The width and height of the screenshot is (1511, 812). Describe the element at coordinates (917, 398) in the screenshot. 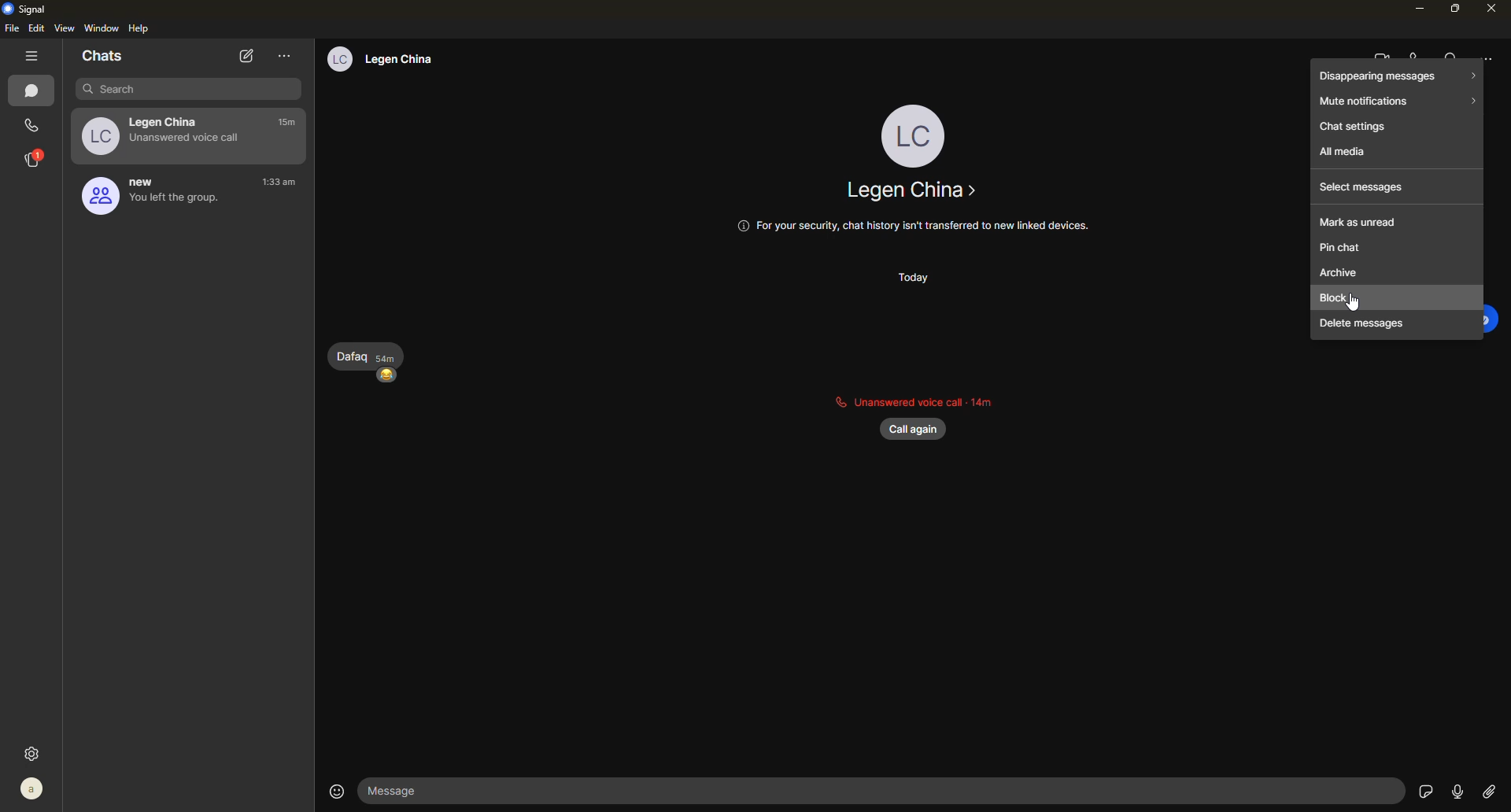

I see `unanswered call` at that location.